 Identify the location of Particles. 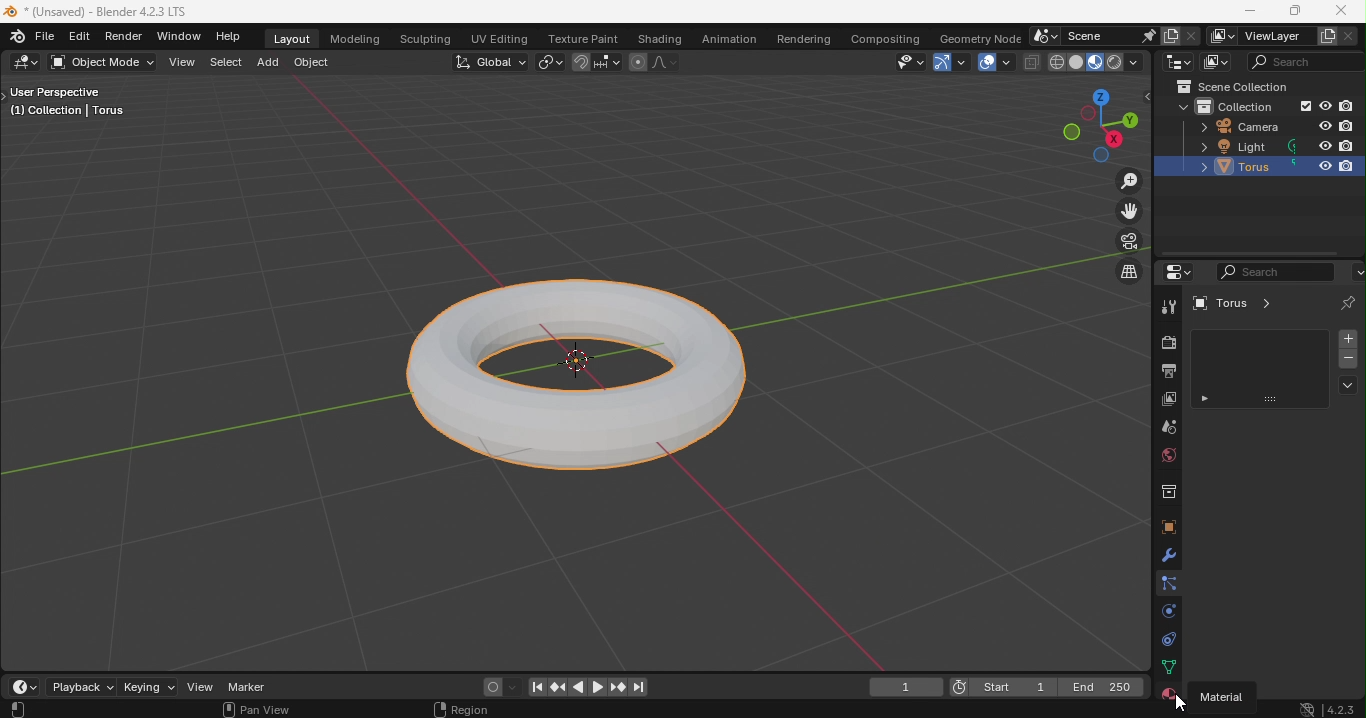
(1171, 584).